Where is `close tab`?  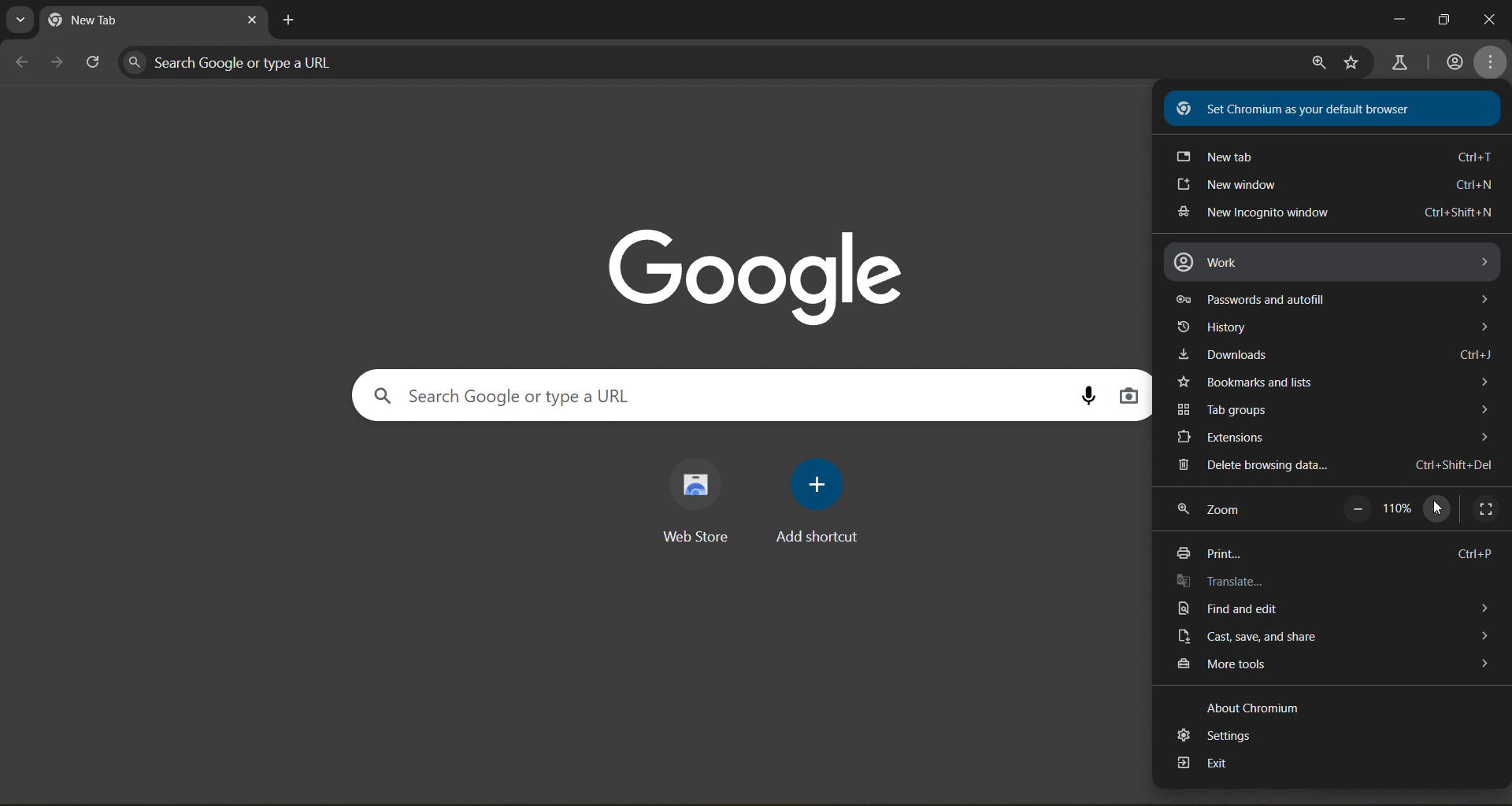 close tab is located at coordinates (252, 23).